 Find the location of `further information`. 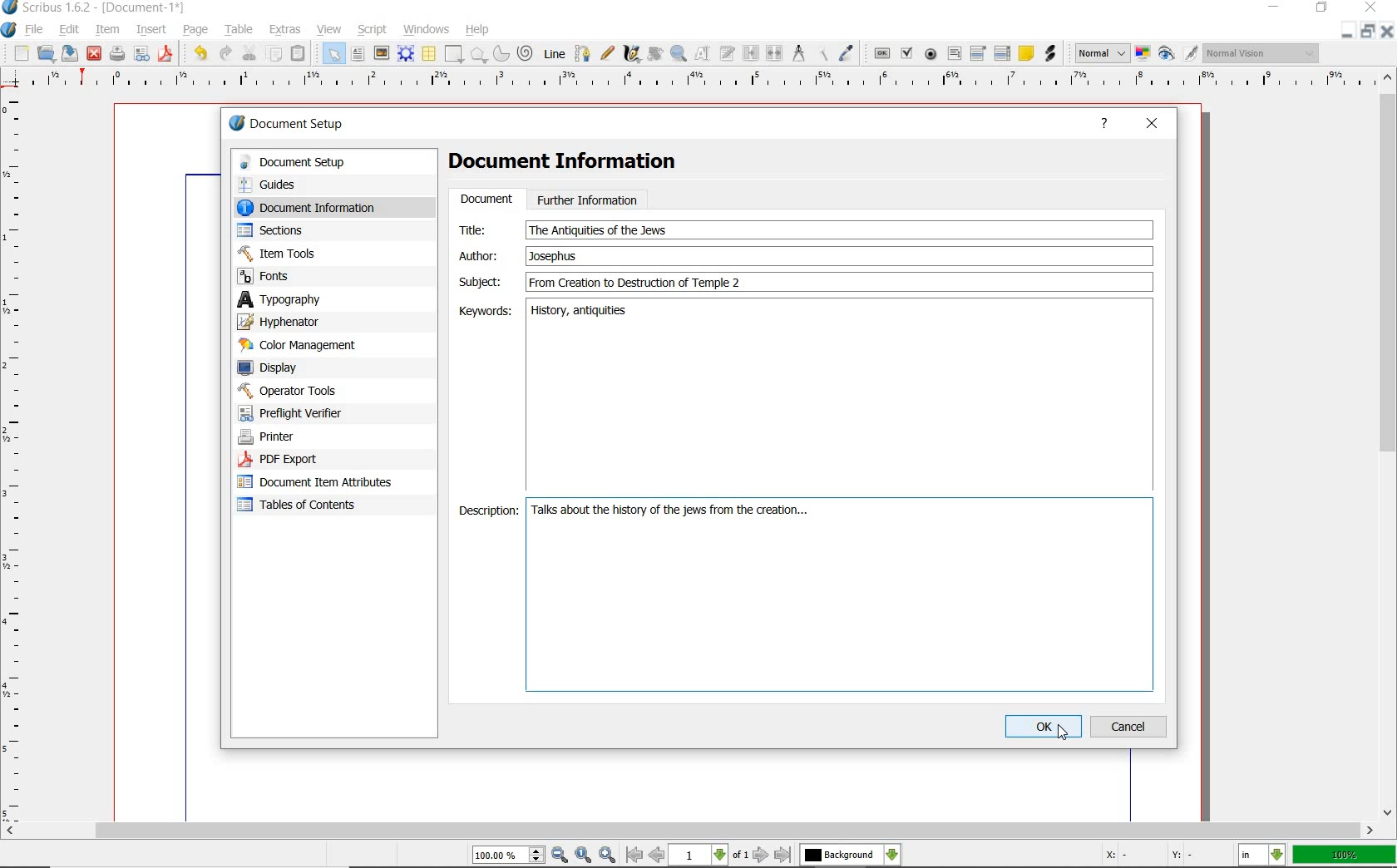

further information is located at coordinates (588, 199).